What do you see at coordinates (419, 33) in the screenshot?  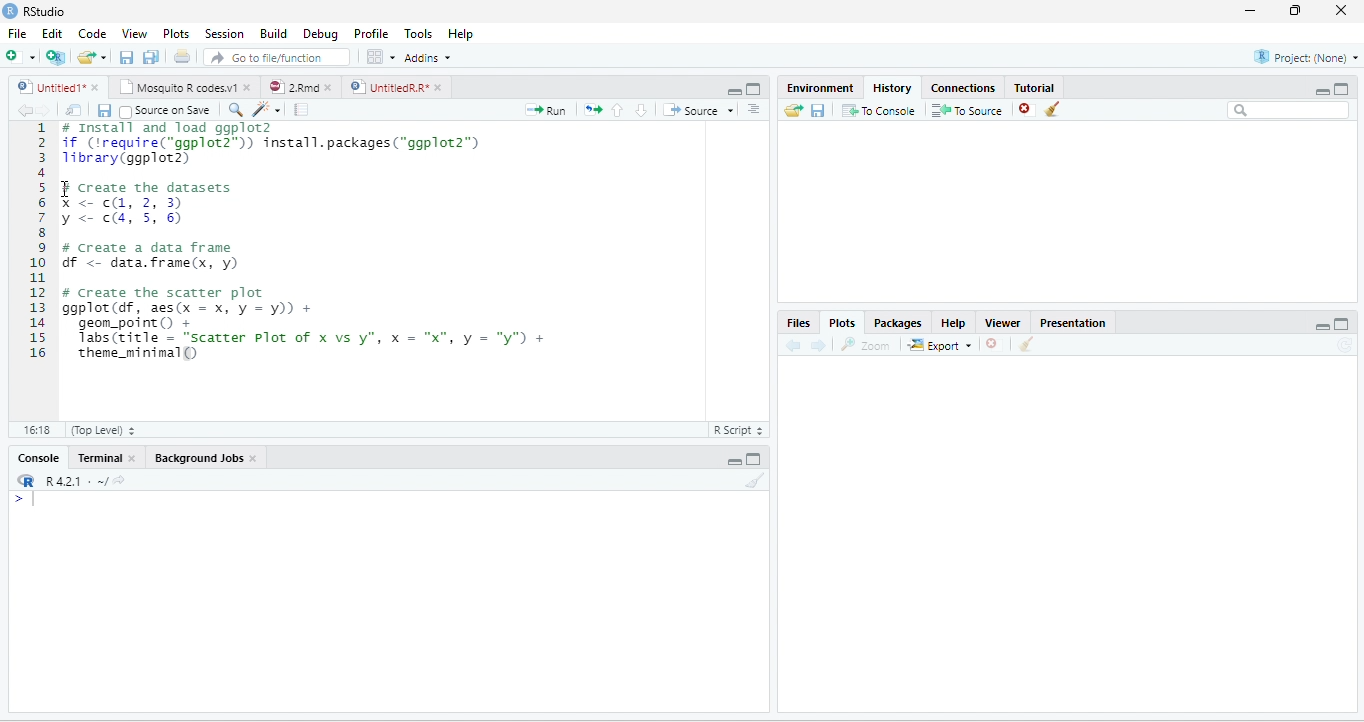 I see `Tools` at bounding box center [419, 33].